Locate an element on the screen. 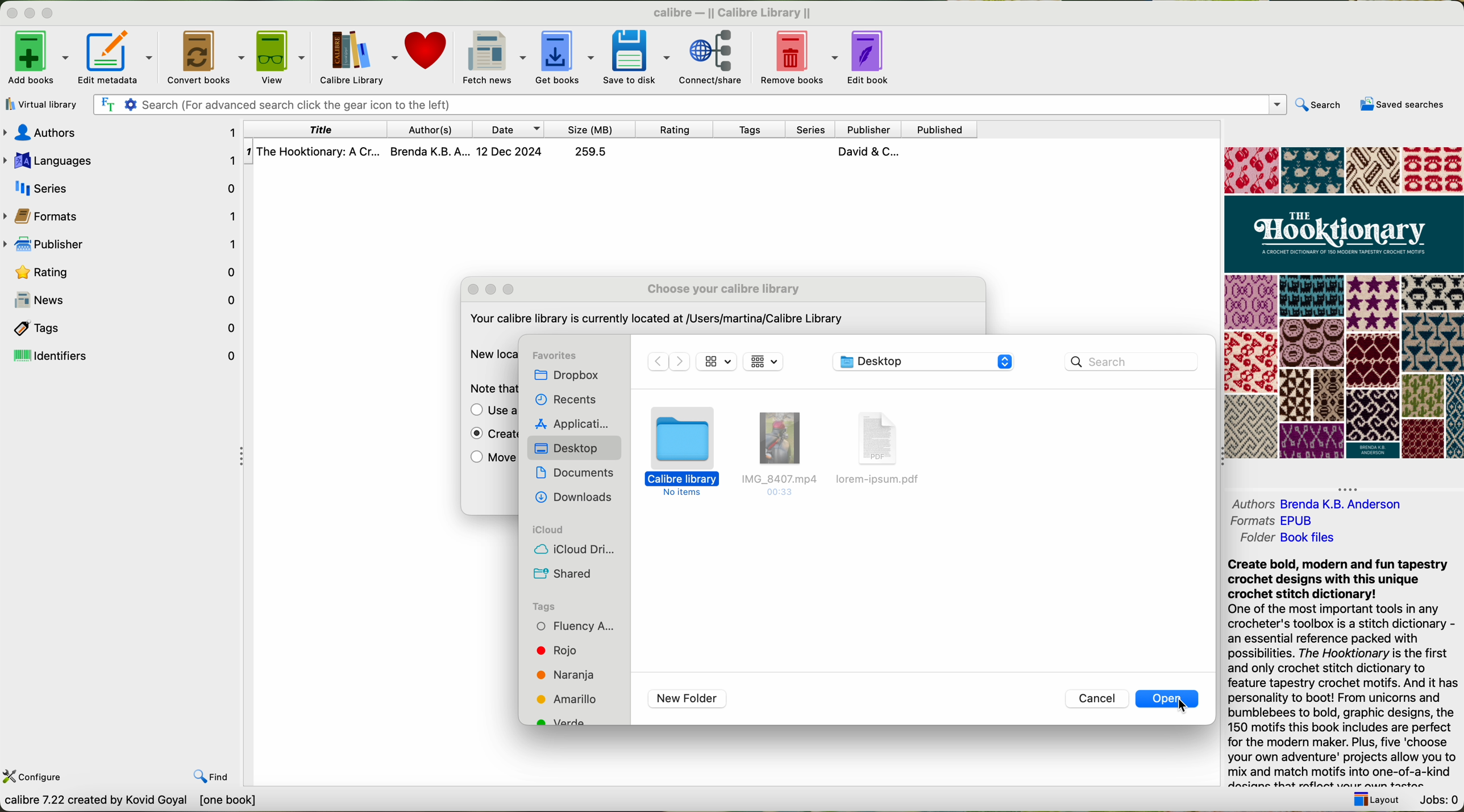 The width and height of the screenshot is (1464, 812). Your calibre library is currently located at /Users/martina/Calibre Library is located at coordinates (657, 317).